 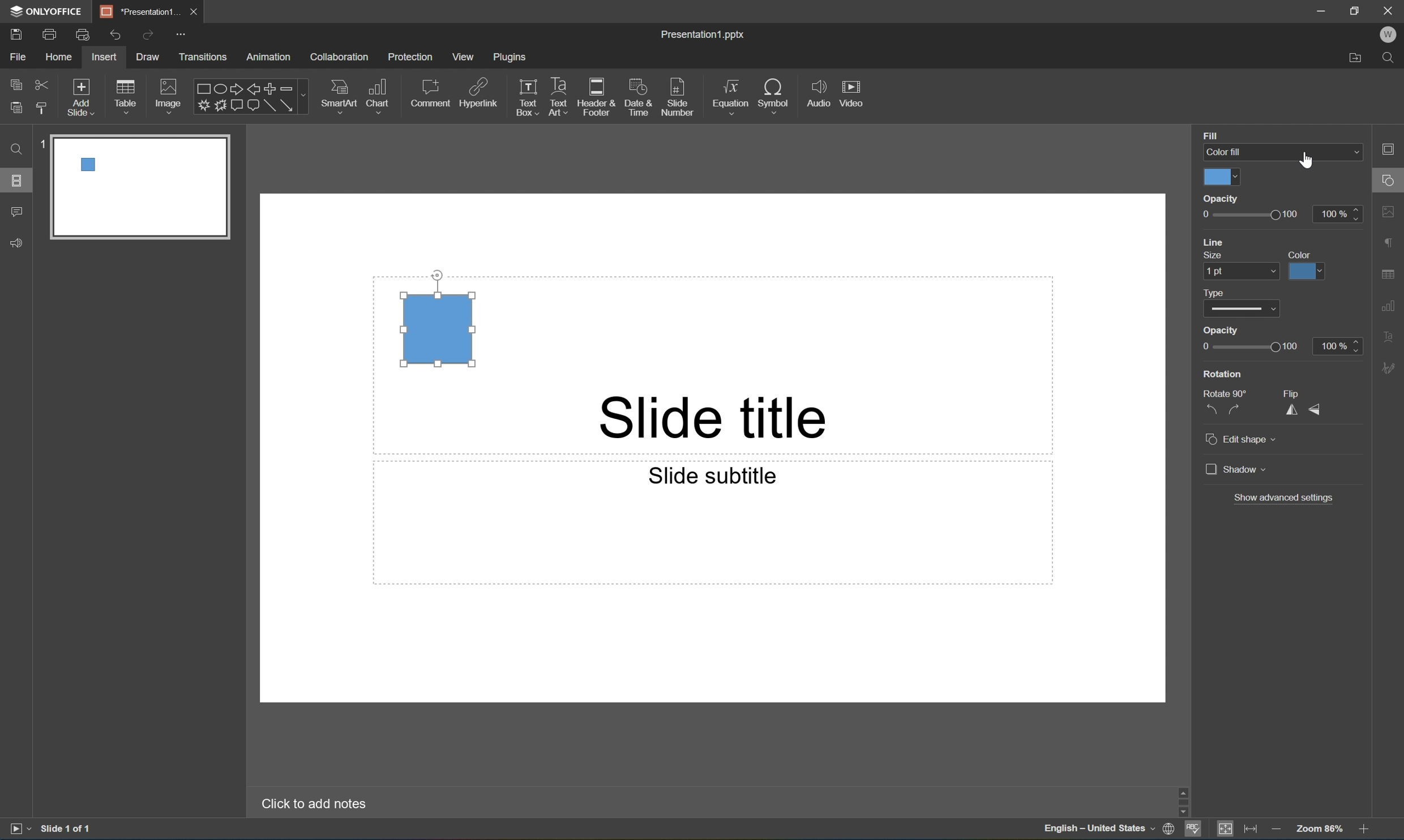 I want to click on Open file location, so click(x=1356, y=60).